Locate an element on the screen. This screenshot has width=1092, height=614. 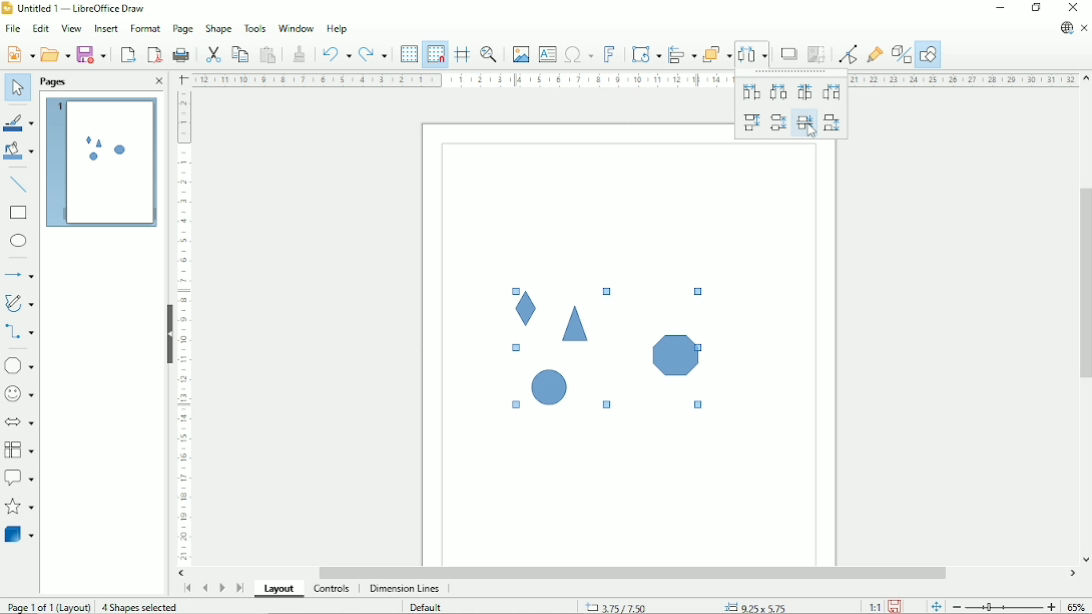
Shape is located at coordinates (218, 28).